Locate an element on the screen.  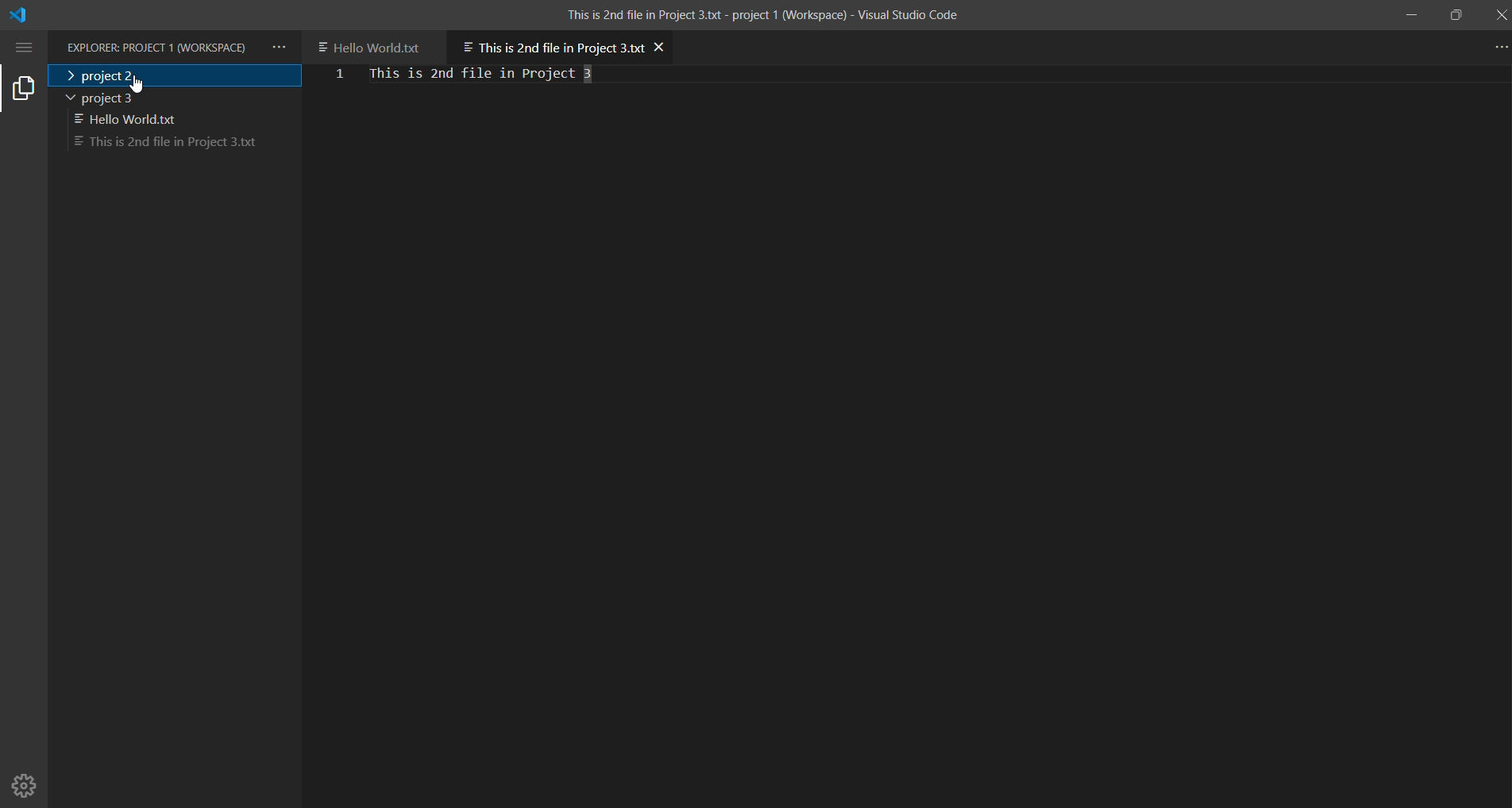
selected project 2 is located at coordinates (175, 75).